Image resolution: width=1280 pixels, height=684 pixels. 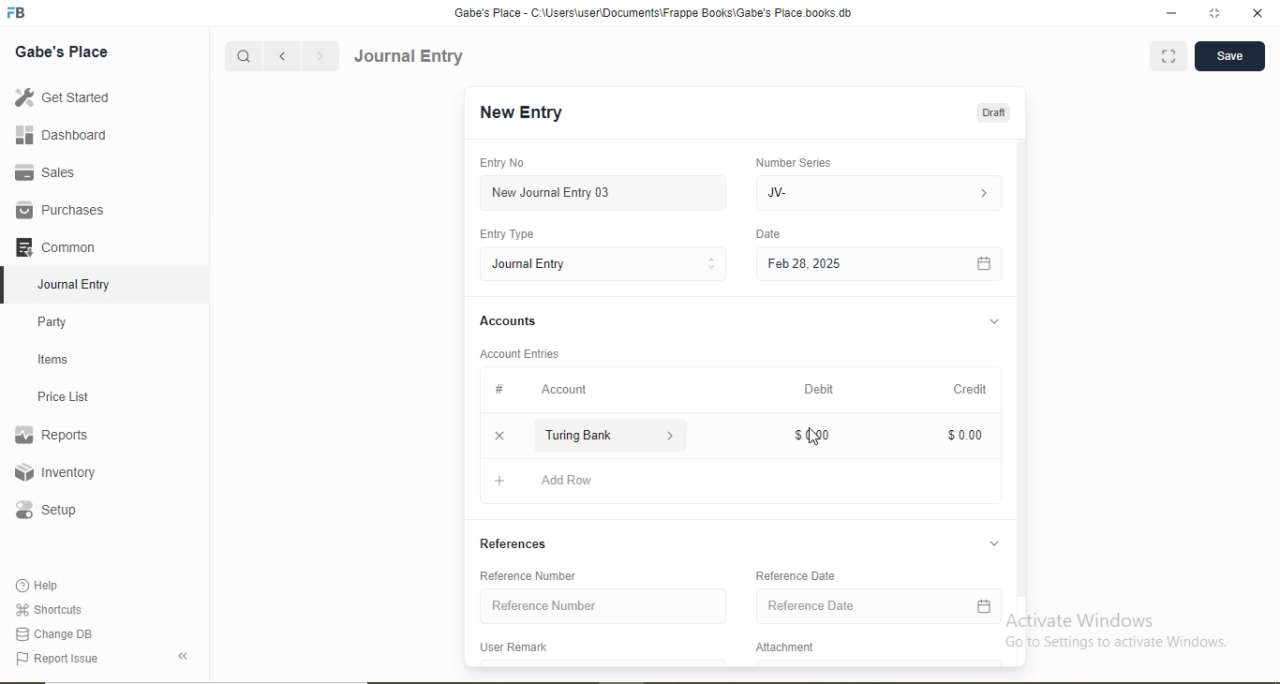 What do you see at coordinates (282, 57) in the screenshot?
I see `Backward` at bounding box center [282, 57].